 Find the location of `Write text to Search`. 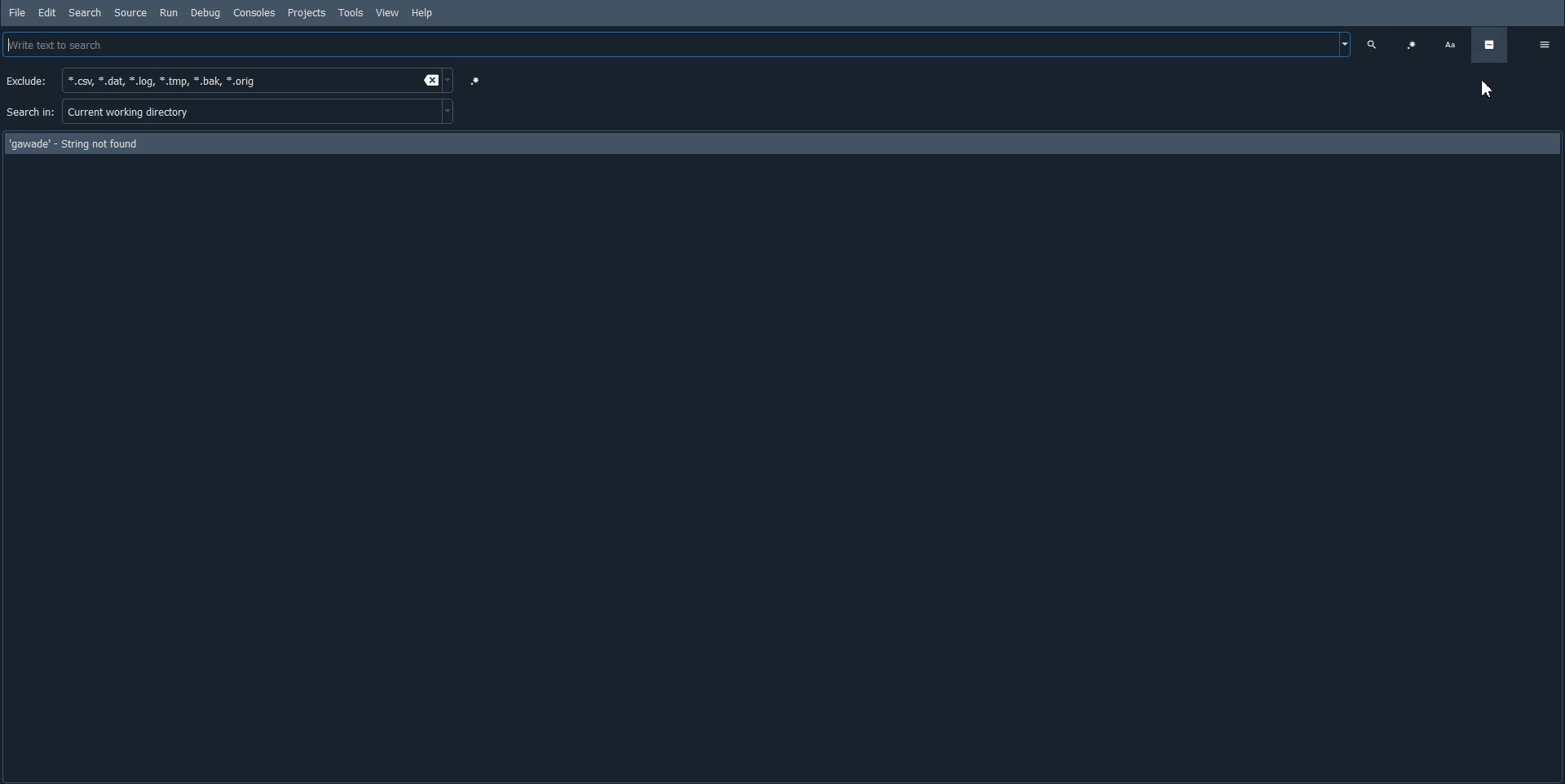

Write text to Search is located at coordinates (679, 43).